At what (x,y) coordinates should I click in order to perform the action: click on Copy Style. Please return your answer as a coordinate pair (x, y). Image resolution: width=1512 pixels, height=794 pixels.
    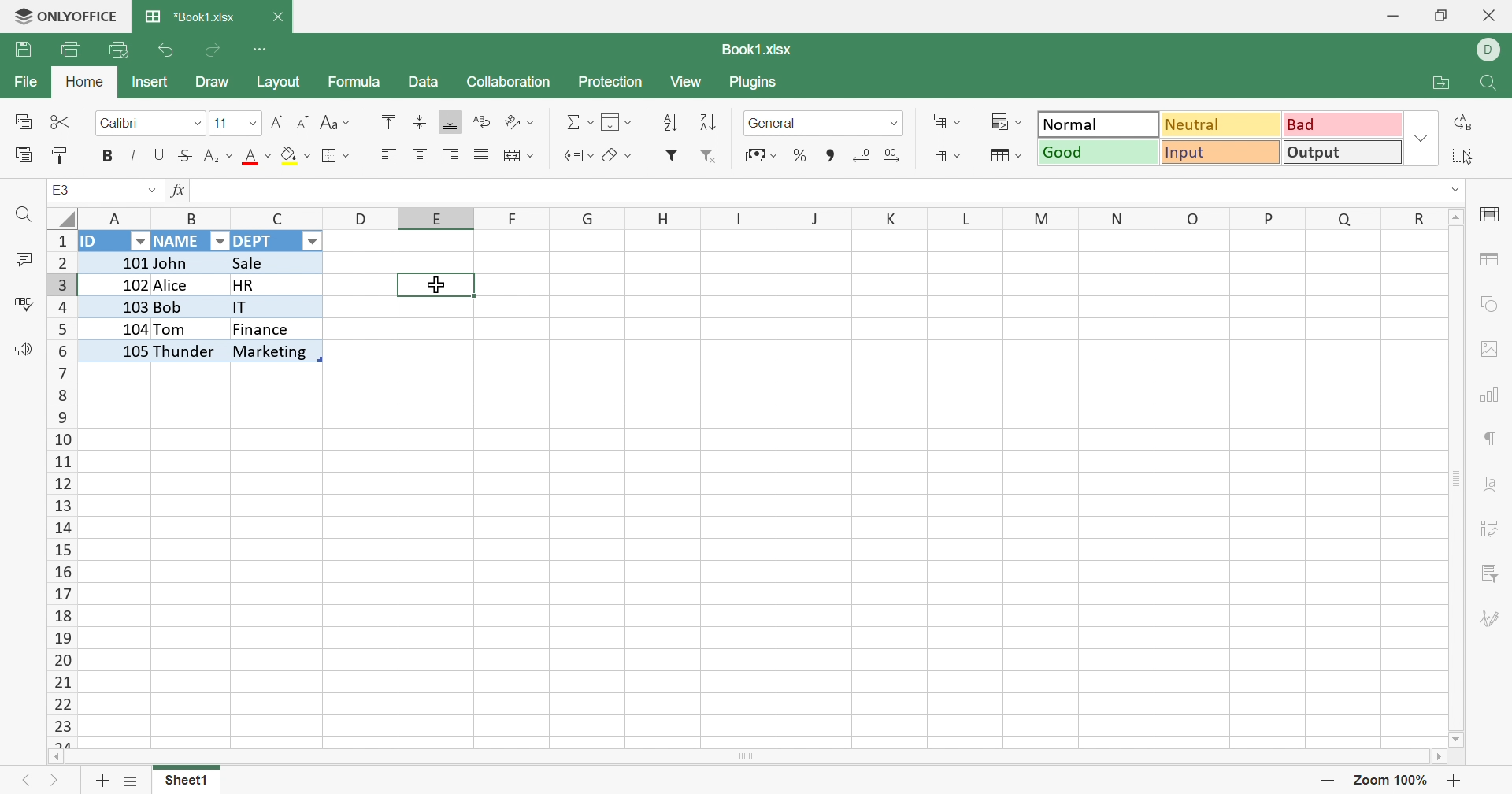
    Looking at the image, I should click on (62, 157).